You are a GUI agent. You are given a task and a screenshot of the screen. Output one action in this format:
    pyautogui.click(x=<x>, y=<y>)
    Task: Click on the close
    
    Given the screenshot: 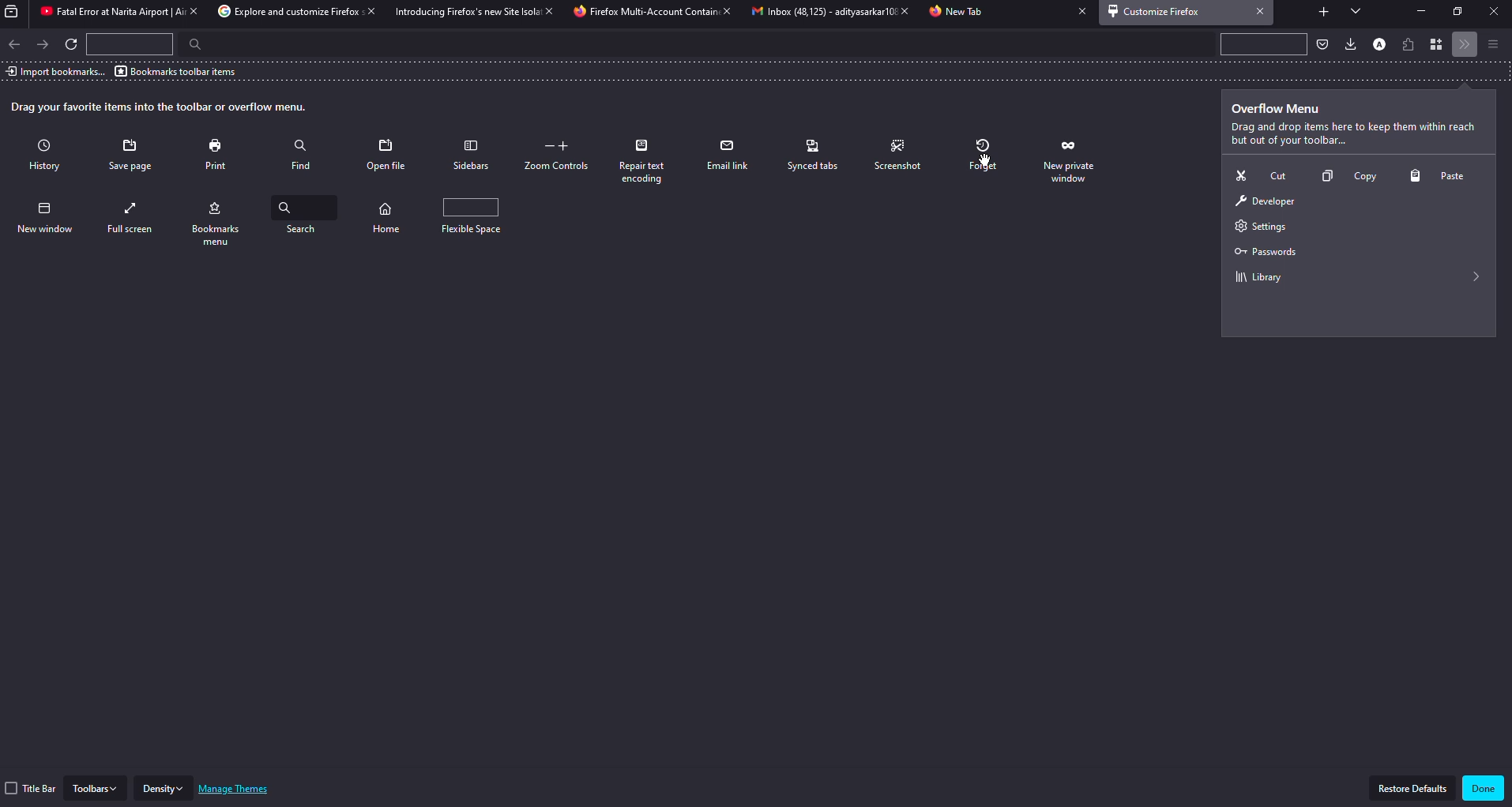 What is the action you would take?
    pyautogui.click(x=1492, y=12)
    